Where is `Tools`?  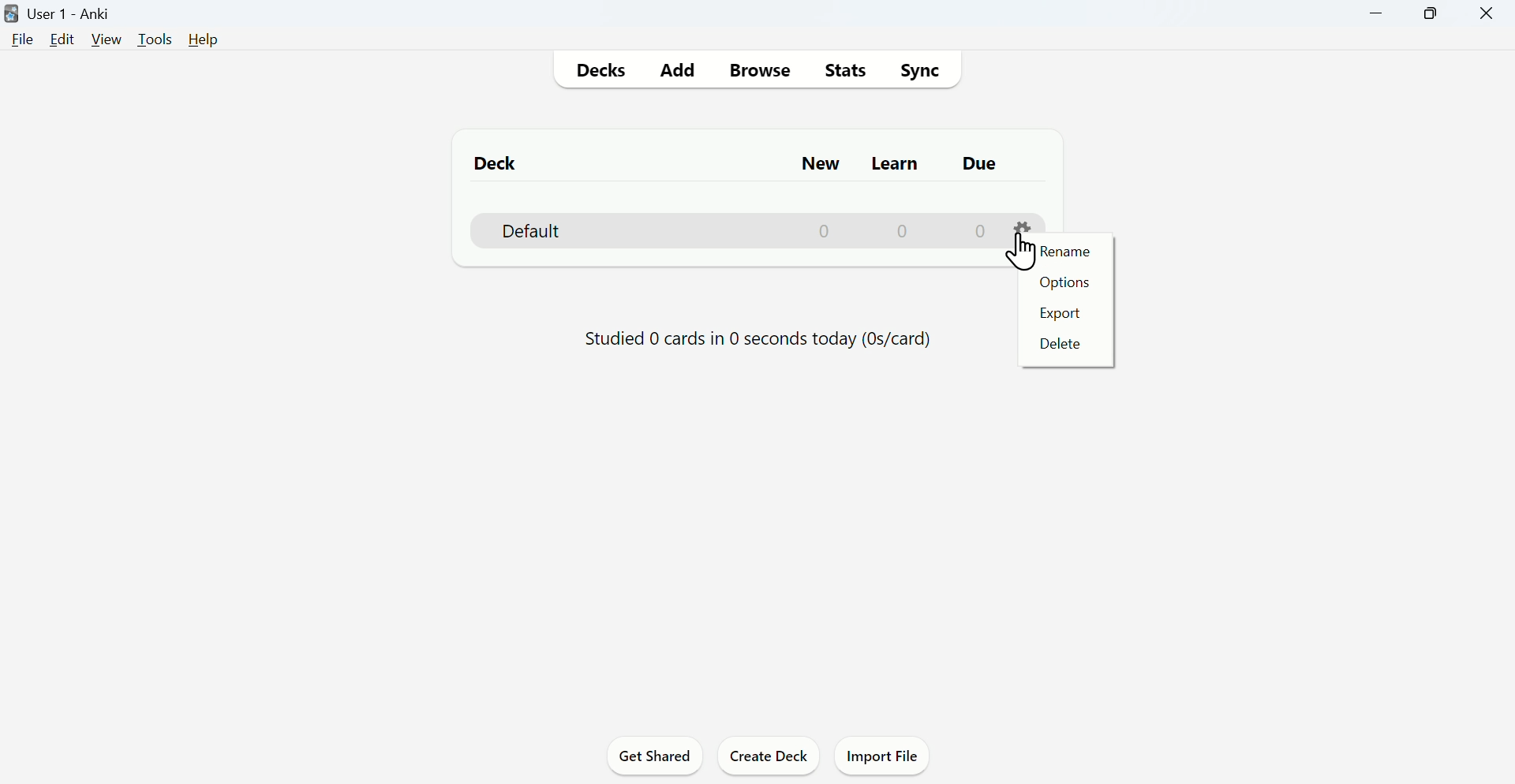 Tools is located at coordinates (157, 39).